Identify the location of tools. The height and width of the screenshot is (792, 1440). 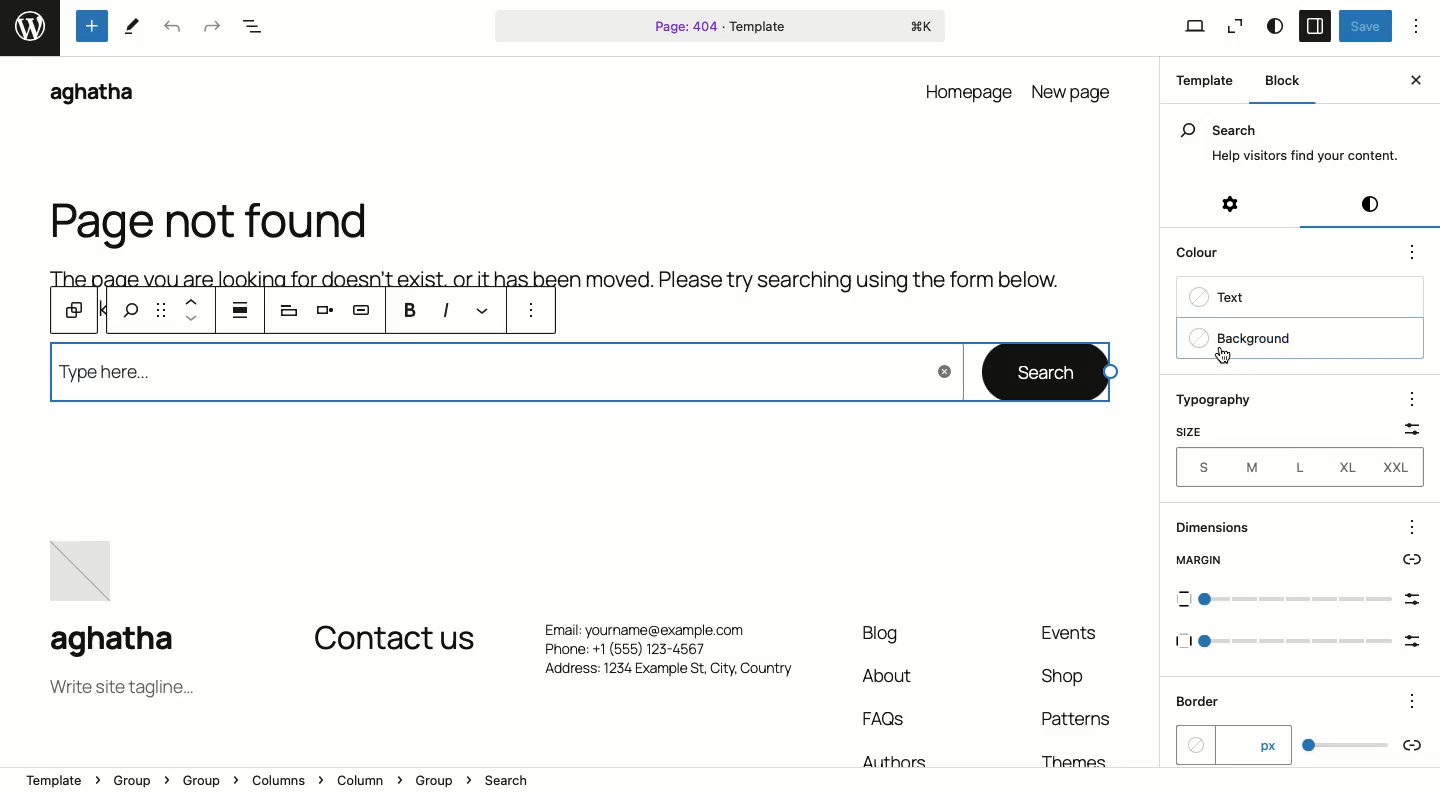
(137, 25).